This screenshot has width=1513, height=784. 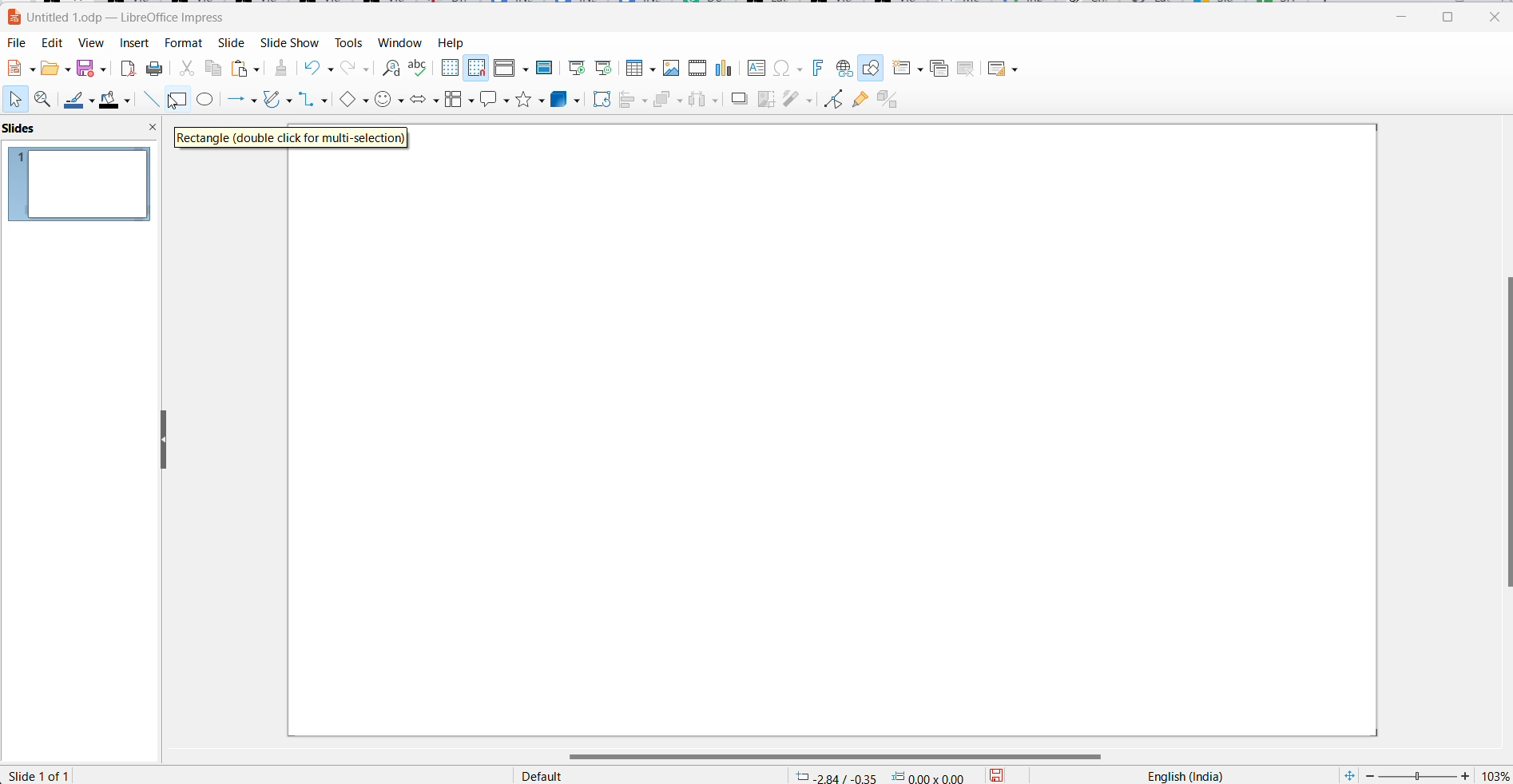 What do you see at coordinates (727, 69) in the screenshot?
I see `Insert charts` at bounding box center [727, 69].